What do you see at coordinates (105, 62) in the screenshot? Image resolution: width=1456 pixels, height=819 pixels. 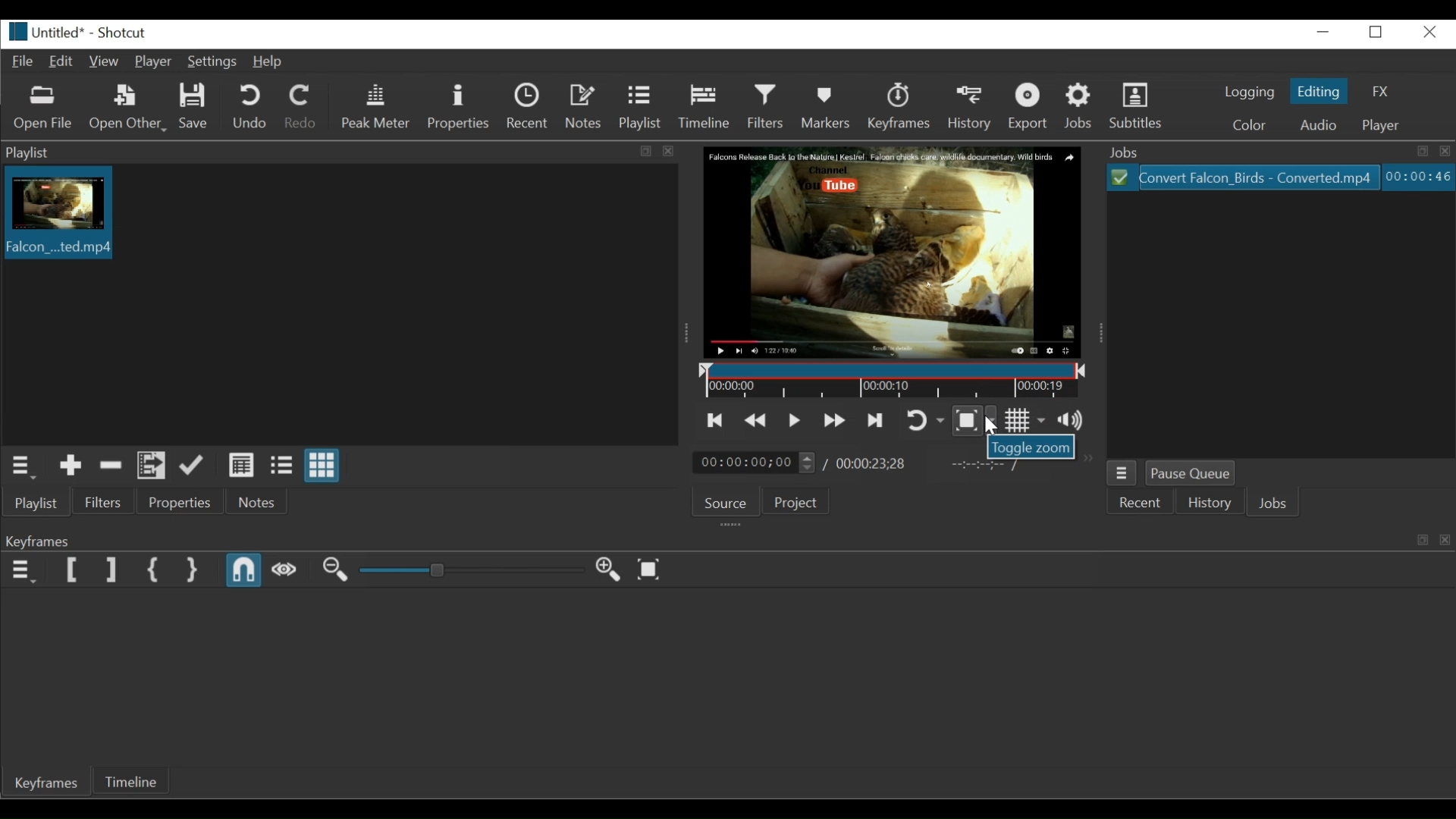 I see `View` at bounding box center [105, 62].